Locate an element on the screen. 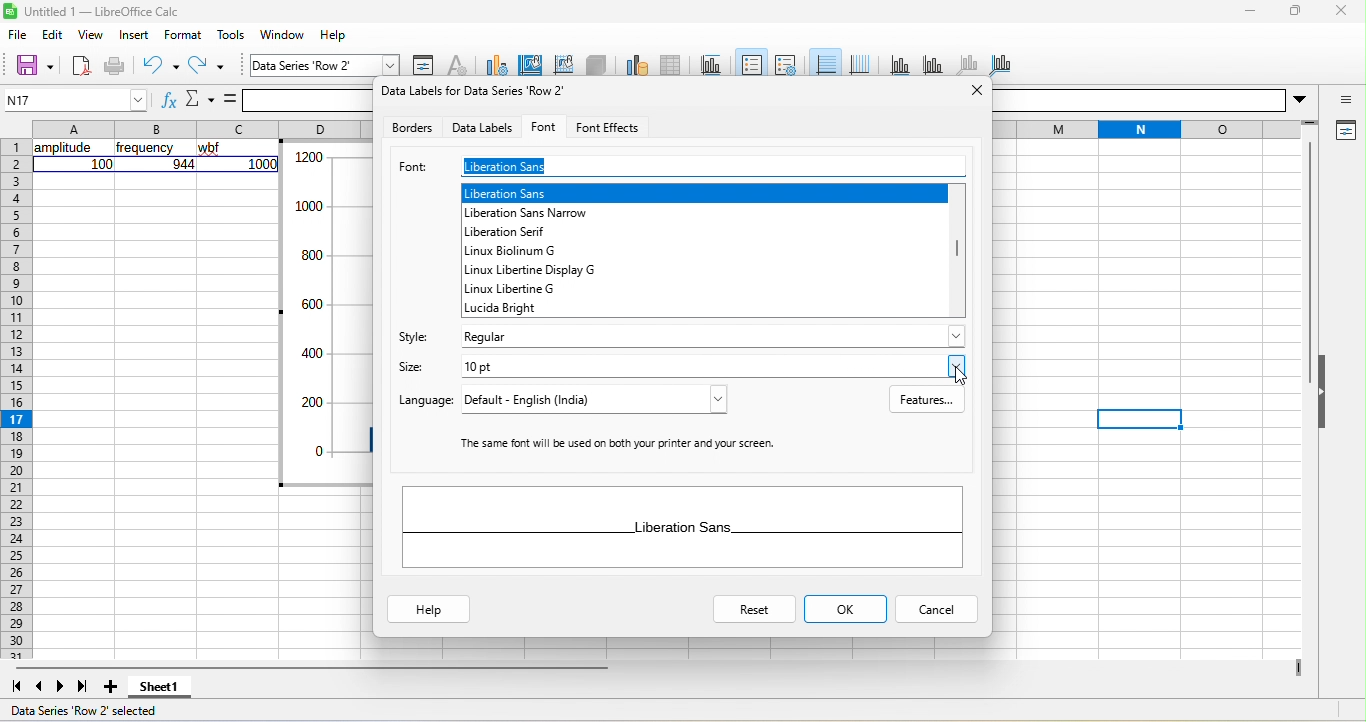  1000 is located at coordinates (263, 164).